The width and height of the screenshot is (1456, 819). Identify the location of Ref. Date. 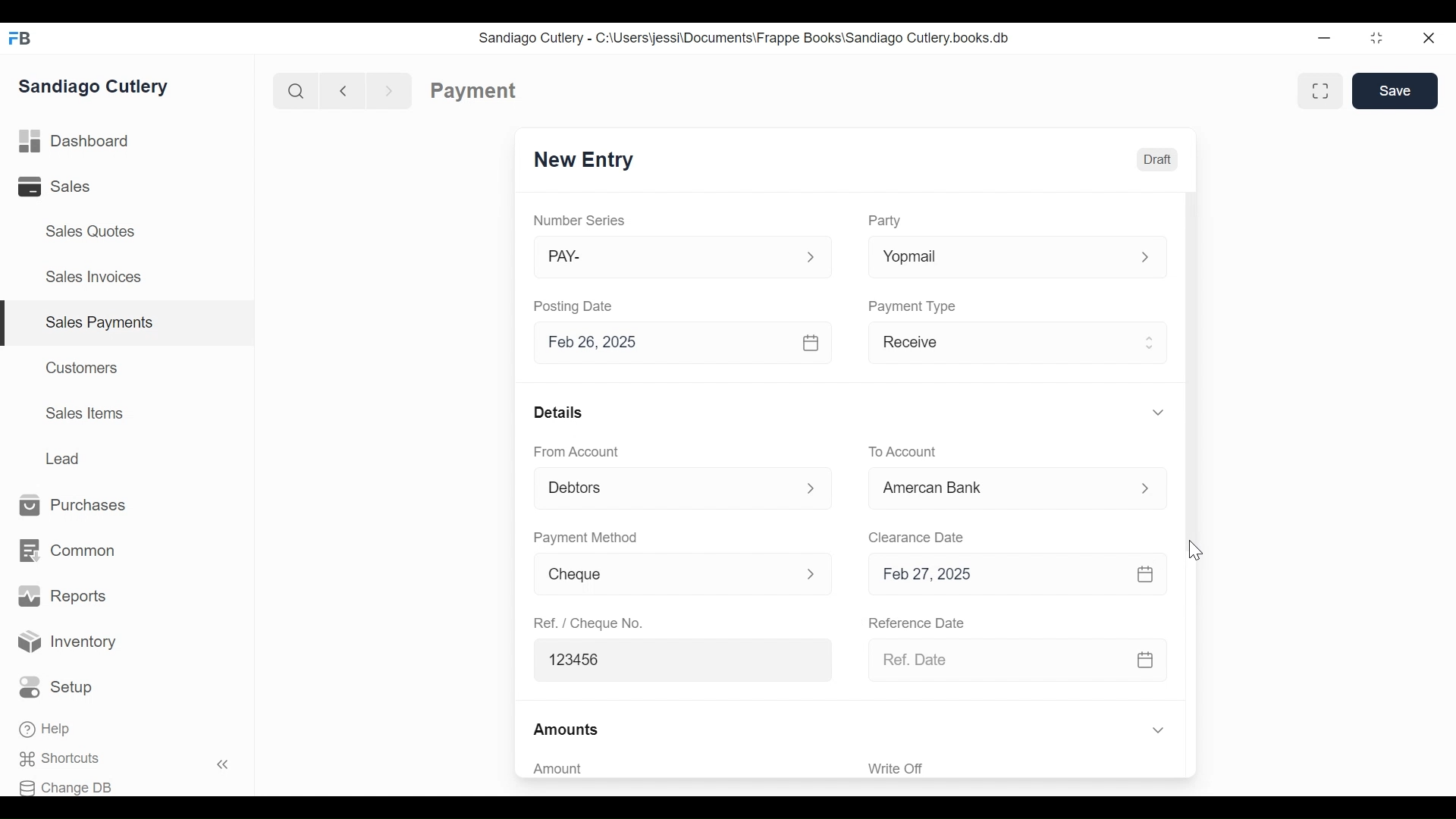
(996, 660).